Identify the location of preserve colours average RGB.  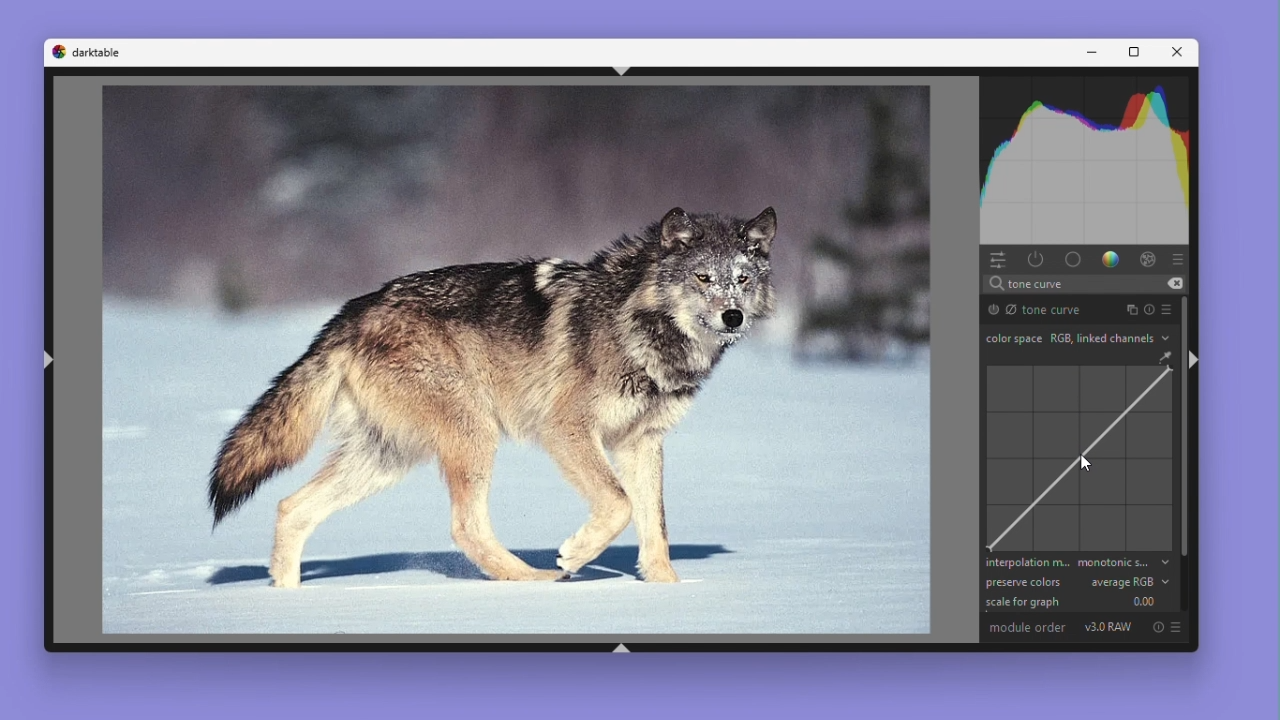
(1076, 582).